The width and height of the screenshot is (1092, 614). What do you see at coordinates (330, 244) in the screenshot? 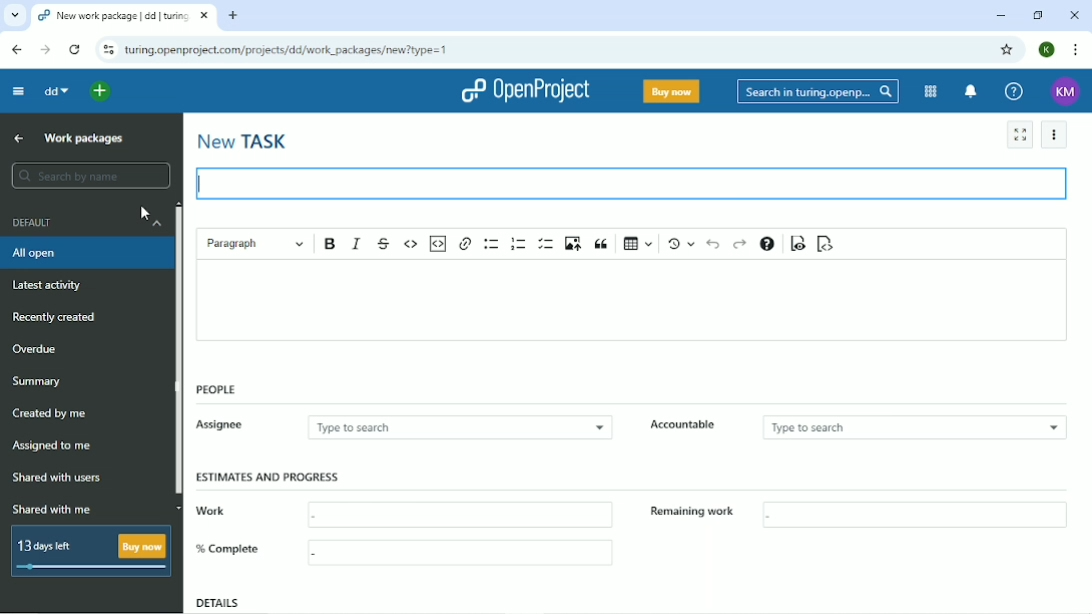
I see `Bold` at bounding box center [330, 244].